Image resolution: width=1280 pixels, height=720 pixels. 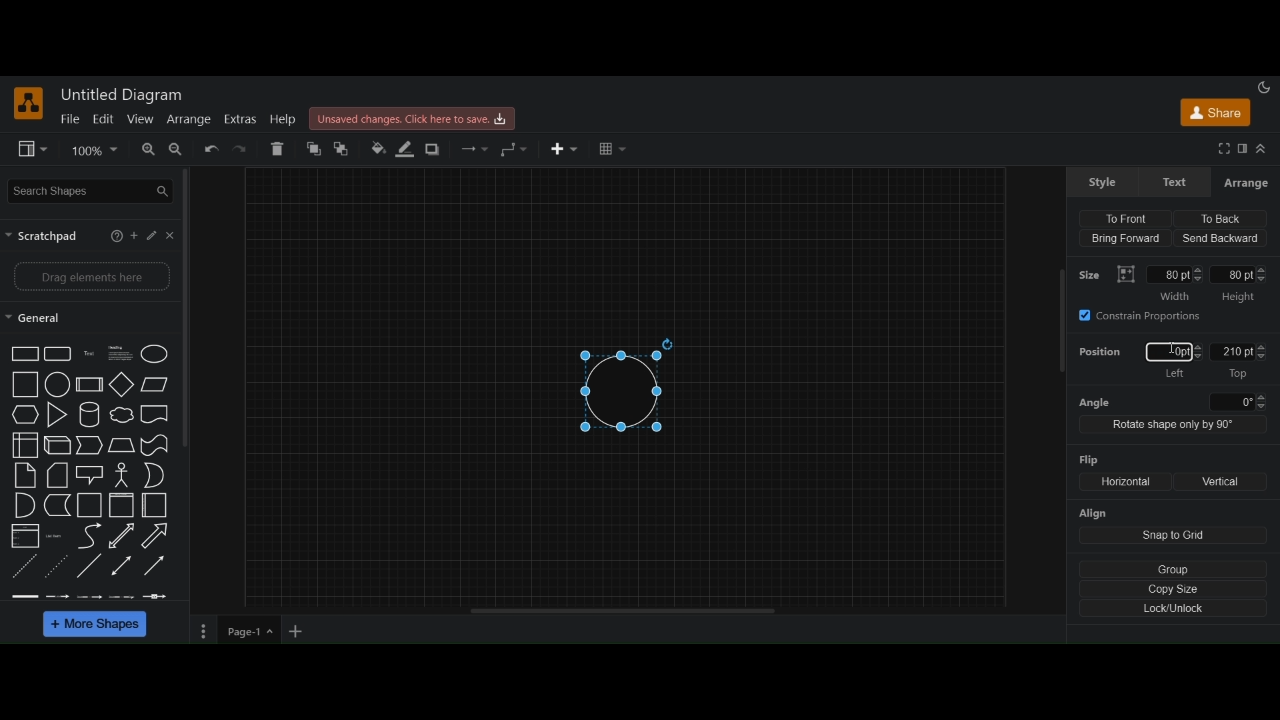 What do you see at coordinates (122, 416) in the screenshot?
I see `free shape` at bounding box center [122, 416].